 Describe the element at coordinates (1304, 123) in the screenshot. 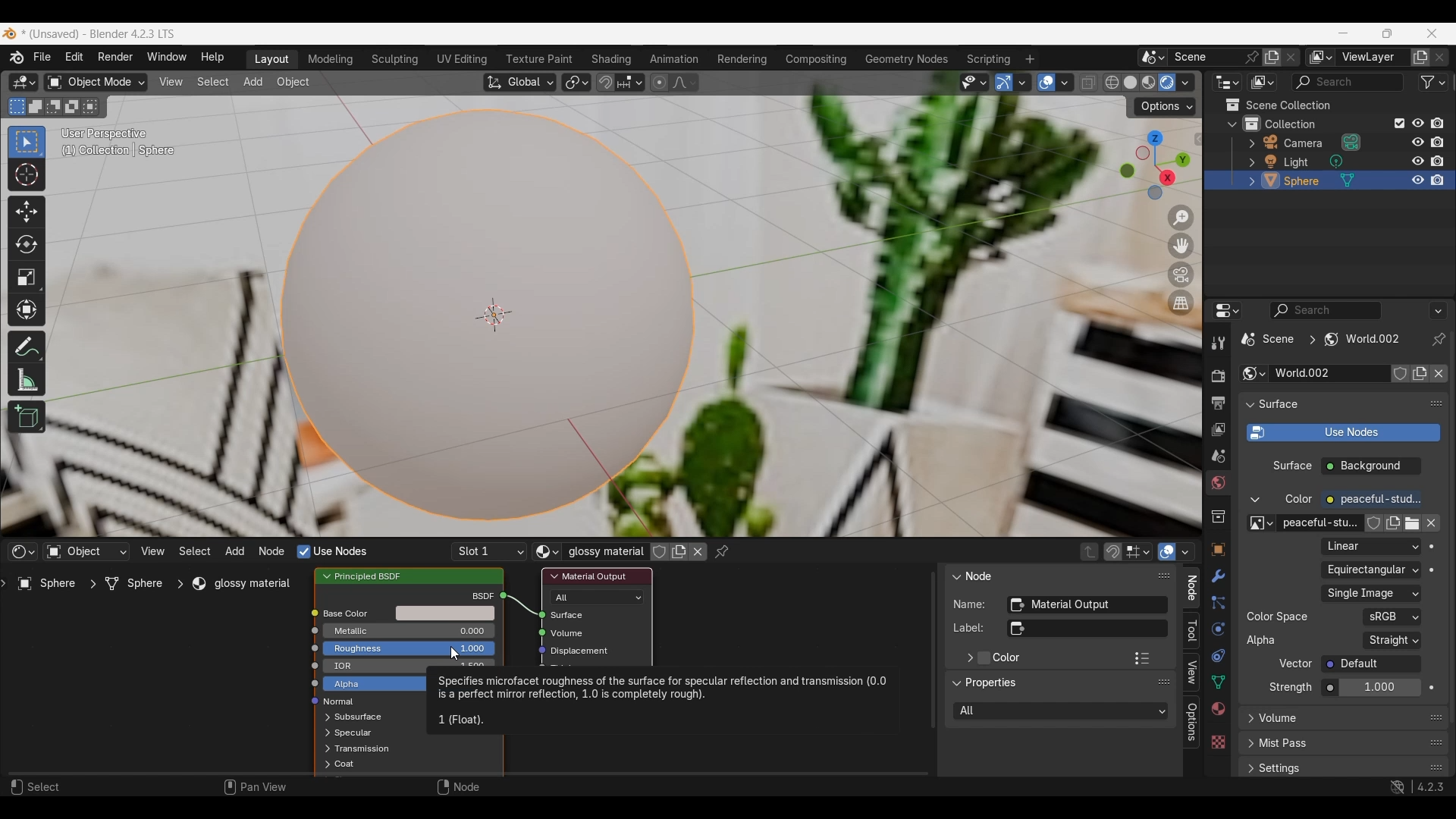

I see `collection` at that location.